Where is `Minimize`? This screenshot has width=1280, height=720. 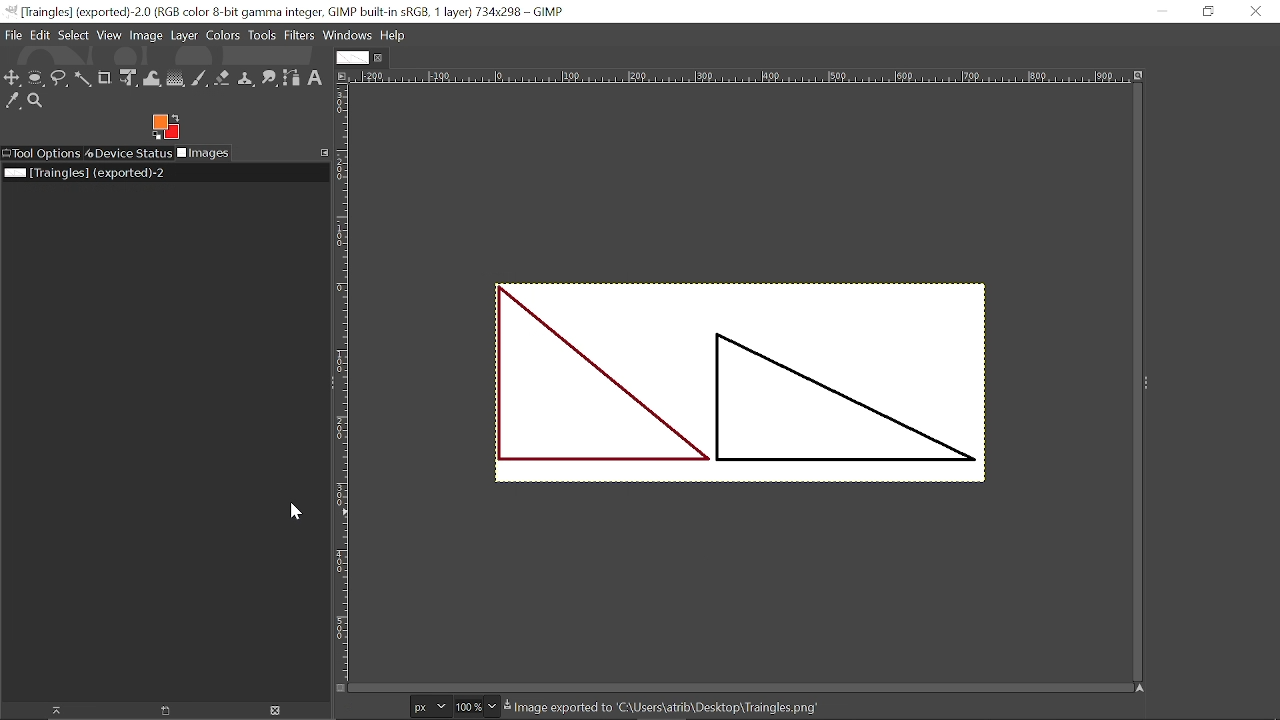
Minimize is located at coordinates (1159, 12).